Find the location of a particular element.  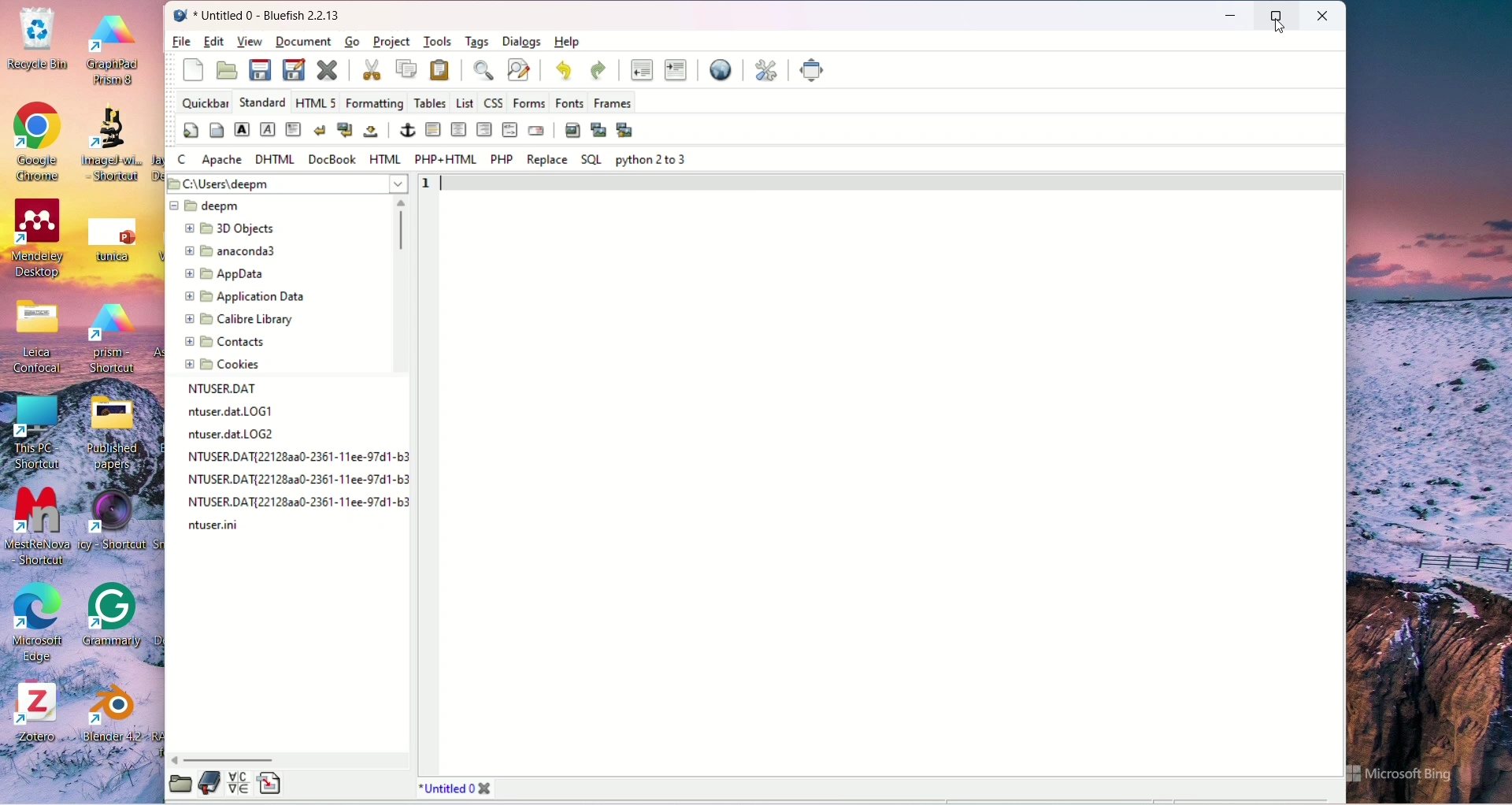

mendeley desktop is located at coordinates (37, 239).